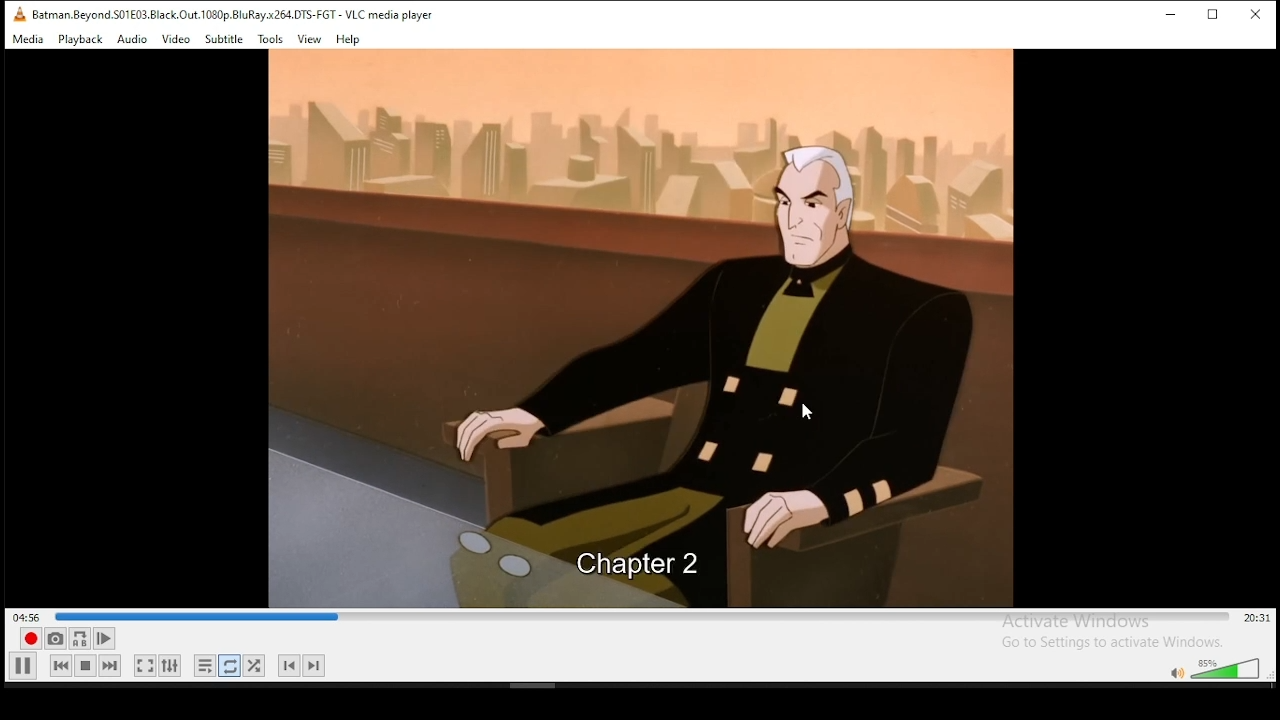 Image resolution: width=1280 pixels, height=720 pixels. What do you see at coordinates (256, 665) in the screenshot?
I see `shuffle` at bounding box center [256, 665].